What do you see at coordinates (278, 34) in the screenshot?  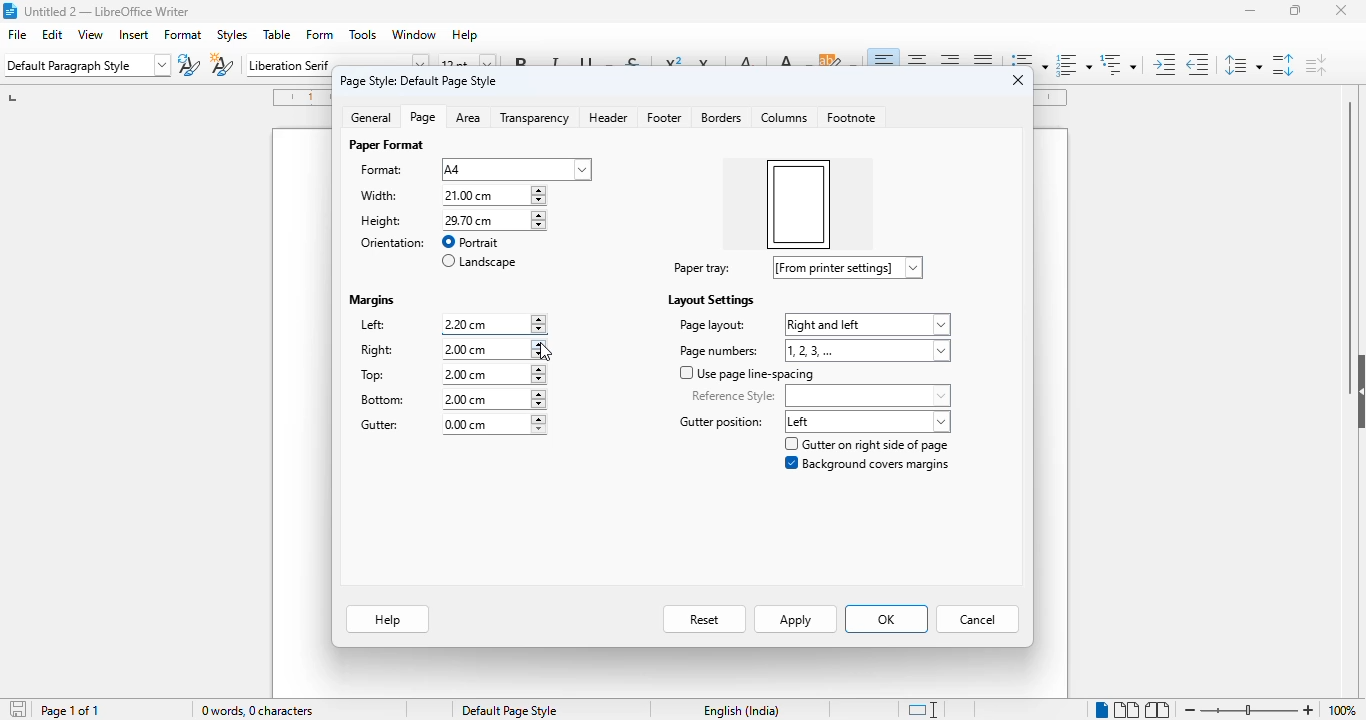 I see `table` at bounding box center [278, 34].